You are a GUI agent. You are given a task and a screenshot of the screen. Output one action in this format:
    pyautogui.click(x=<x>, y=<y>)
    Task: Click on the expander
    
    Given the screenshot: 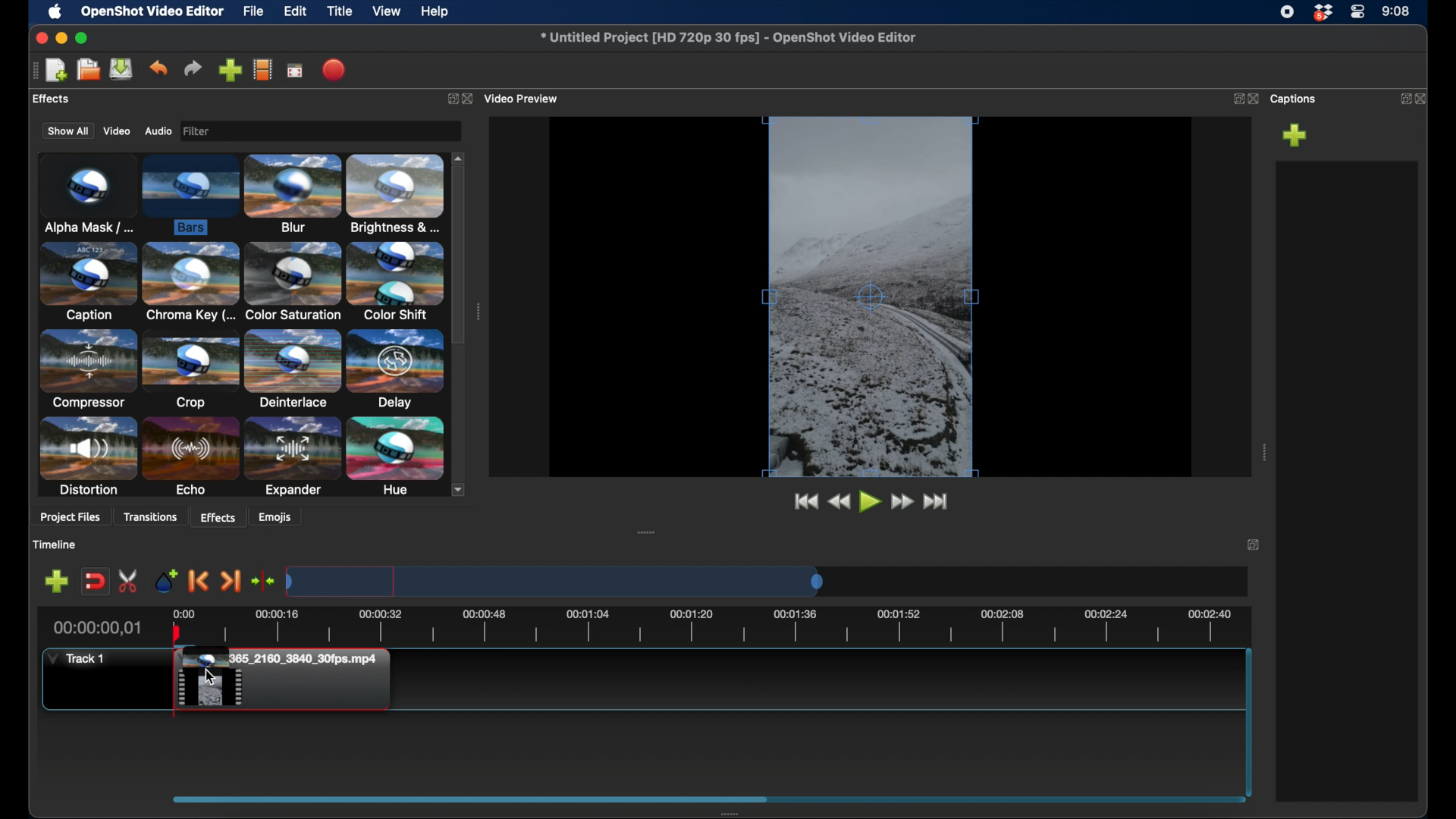 What is the action you would take?
    pyautogui.click(x=291, y=457)
    